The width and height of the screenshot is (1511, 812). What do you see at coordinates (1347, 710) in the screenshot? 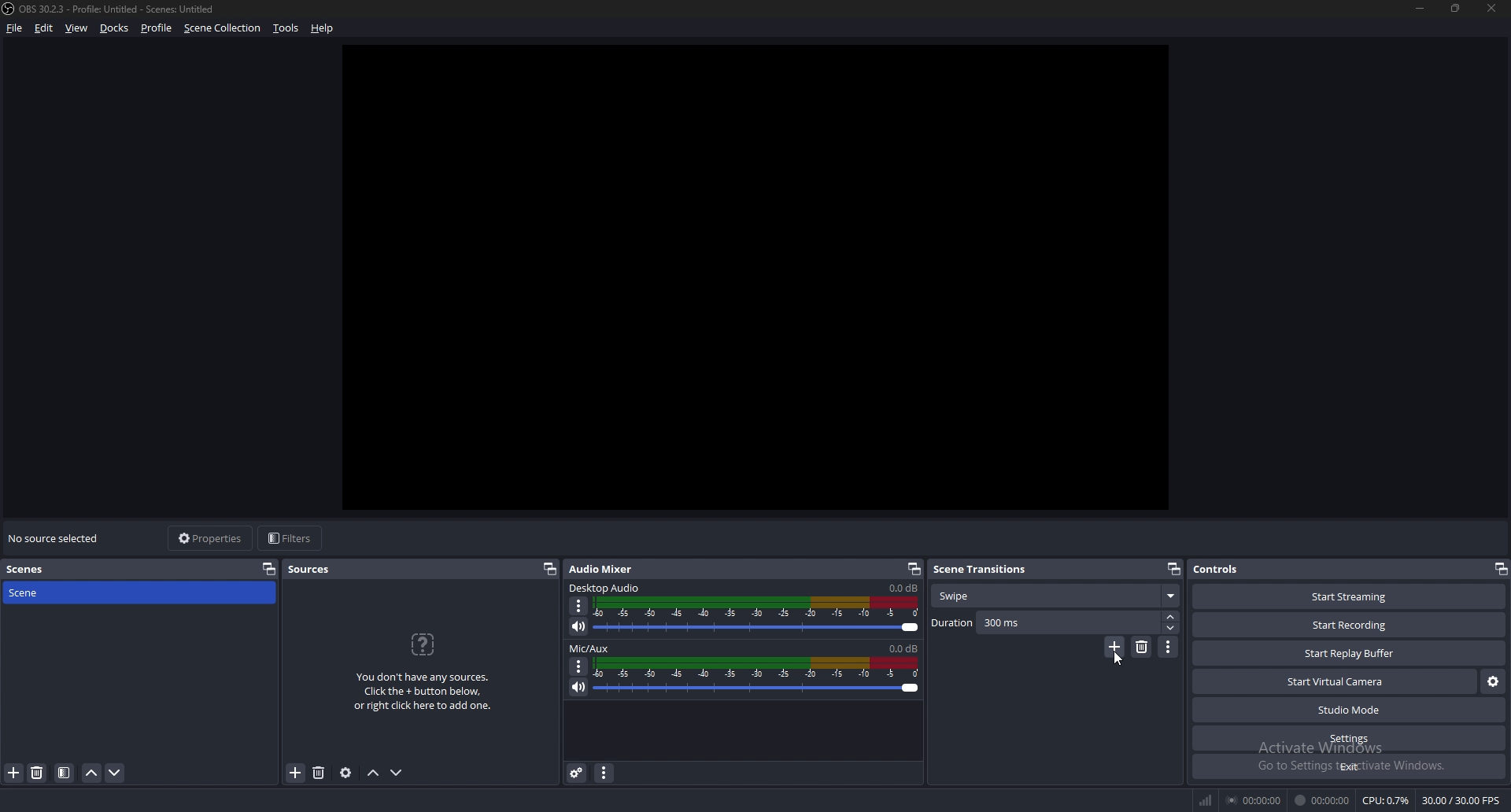
I see `studio mode` at bounding box center [1347, 710].